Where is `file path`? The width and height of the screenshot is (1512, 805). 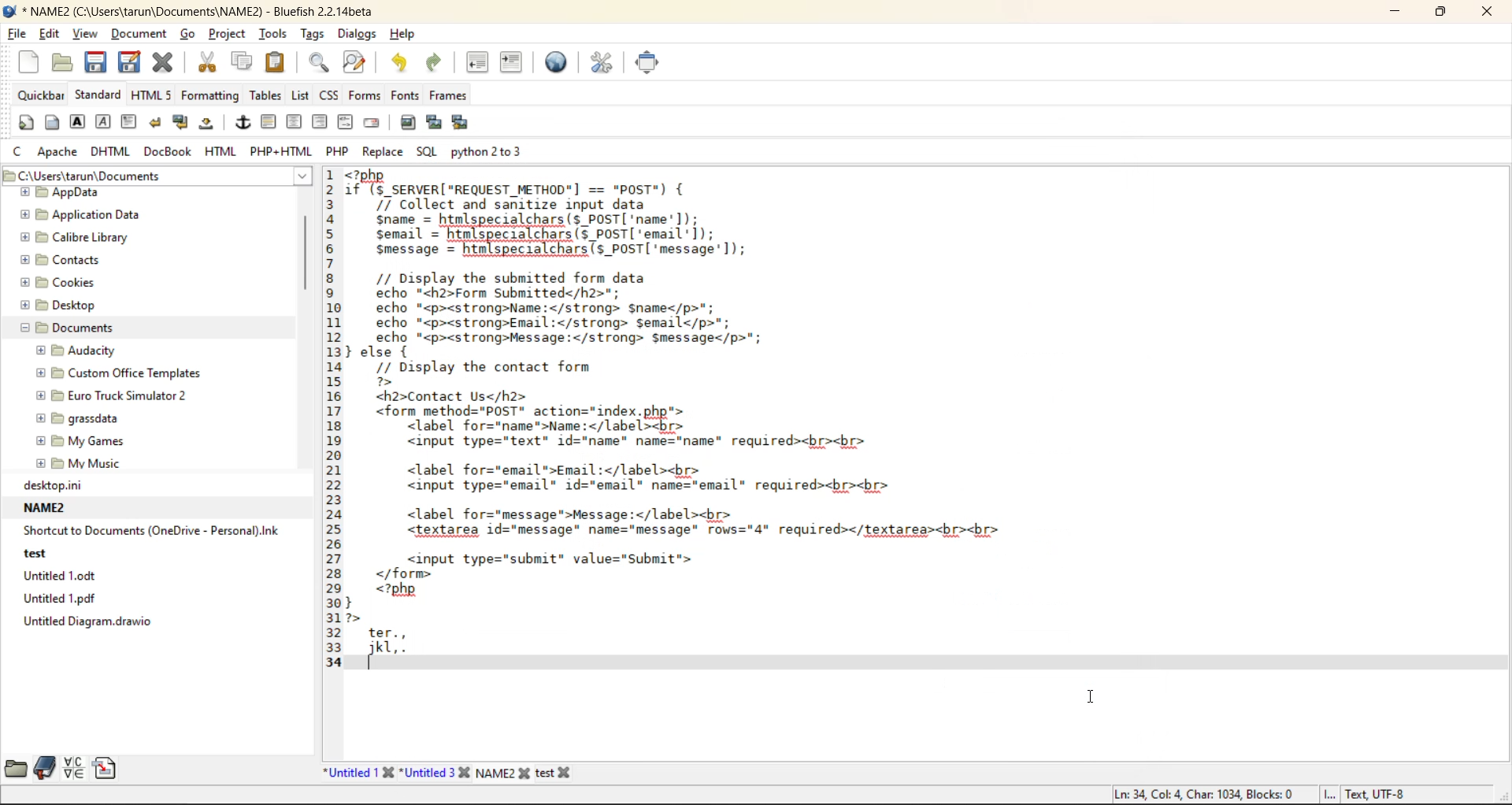
file path is located at coordinates (154, 176).